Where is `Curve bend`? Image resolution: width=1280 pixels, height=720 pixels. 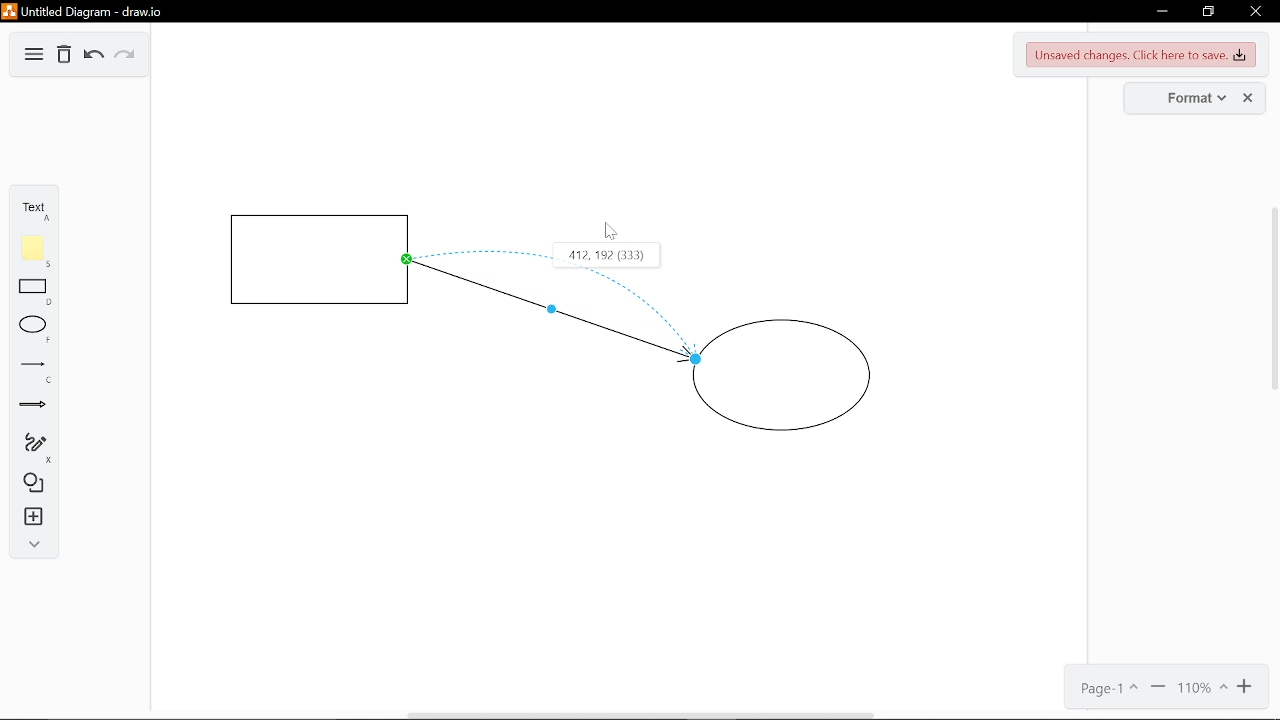
Curve bend is located at coordinates (655, 301).